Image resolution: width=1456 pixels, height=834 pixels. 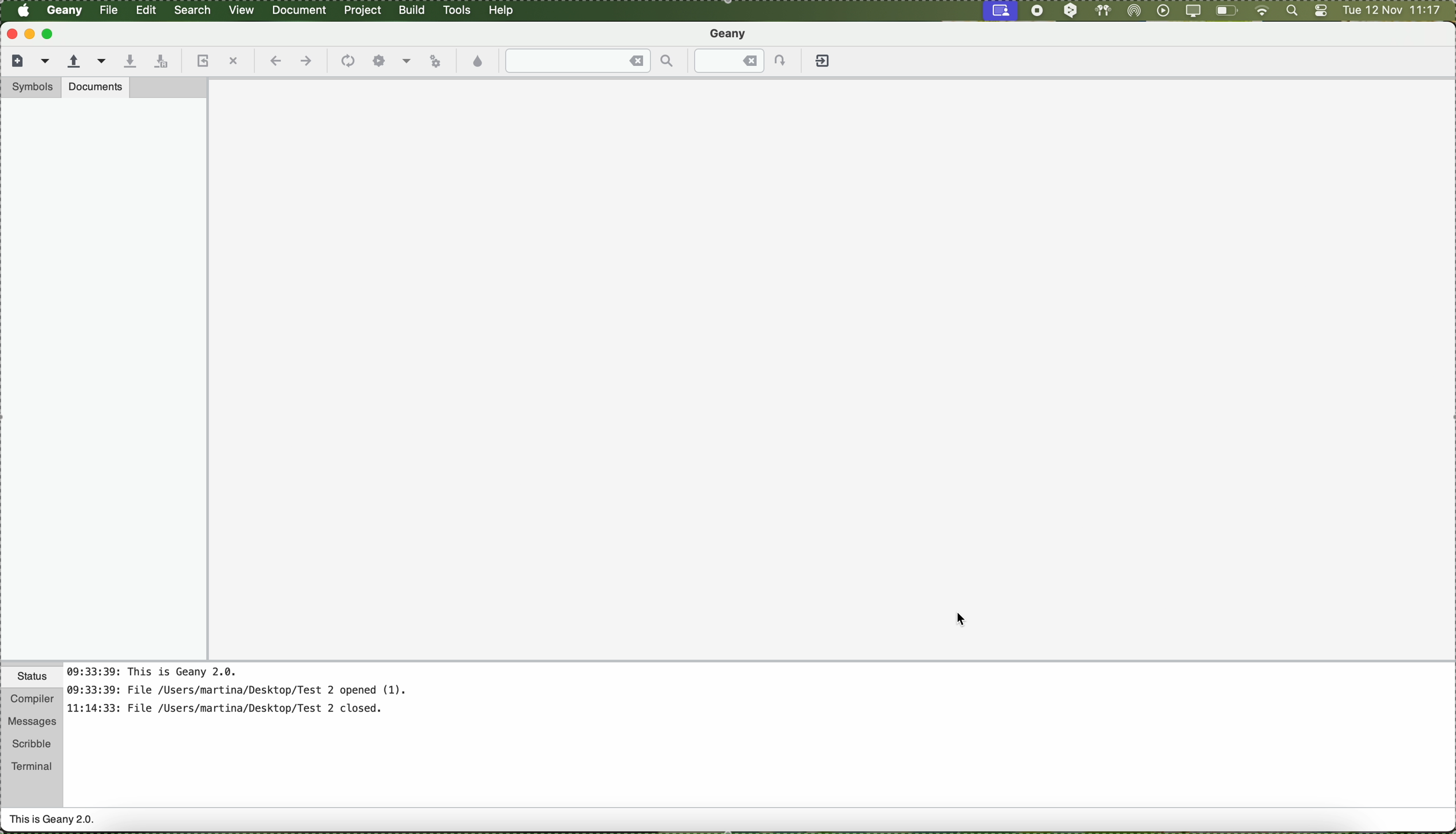 What do you see at coordinates (362, 10) in the screenshot?
I see `project` at bounding box center [362, 10].